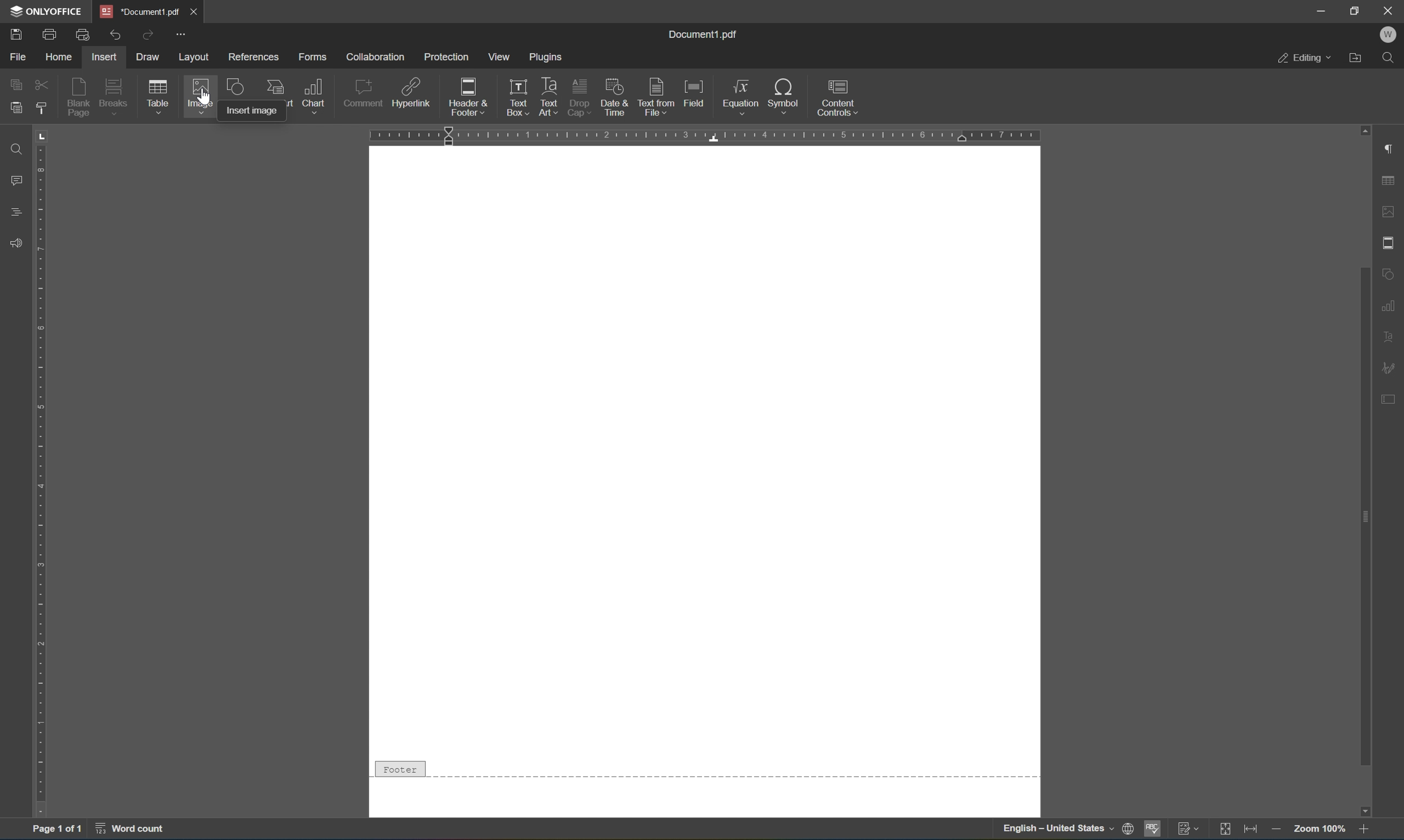 The image size is (1404, 840). Describe the element at coordinates (1391, 272) in the screenshot. I see `shape settings` at that location.